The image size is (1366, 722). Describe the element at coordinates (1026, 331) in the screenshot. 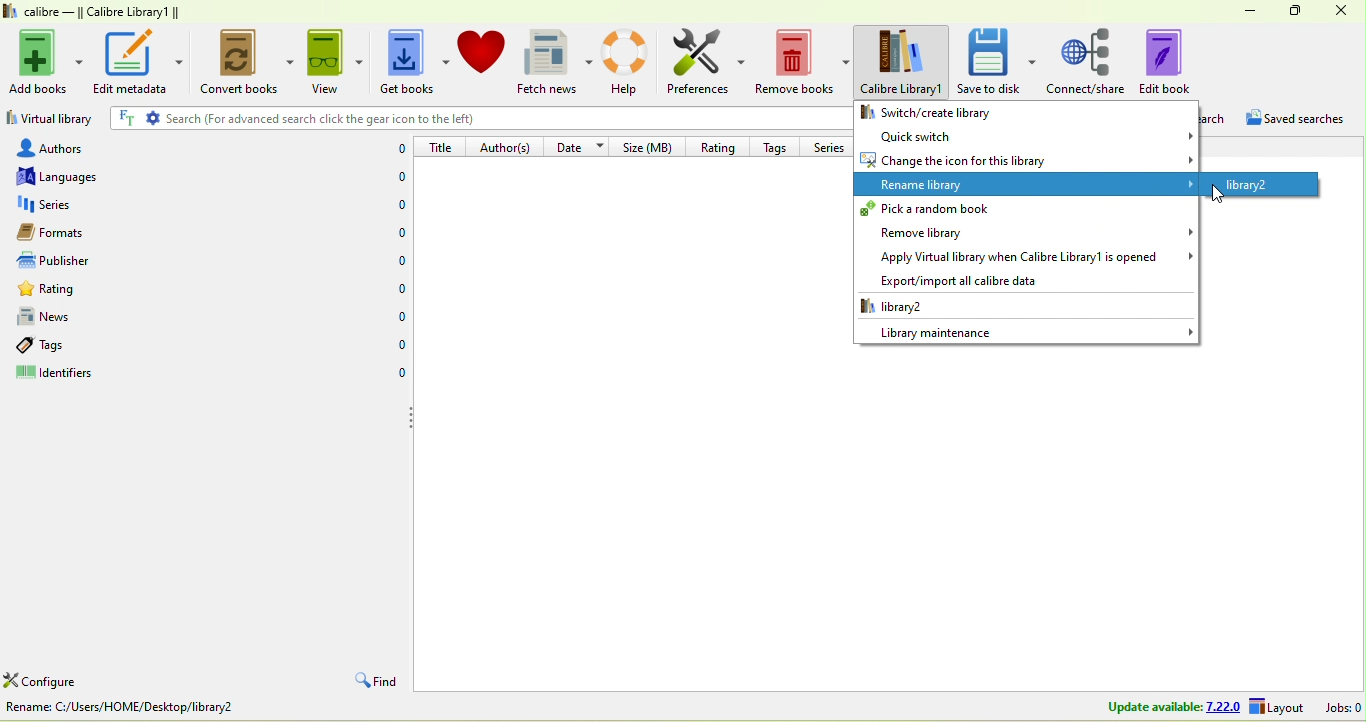

I see `librery maintain` at that location.